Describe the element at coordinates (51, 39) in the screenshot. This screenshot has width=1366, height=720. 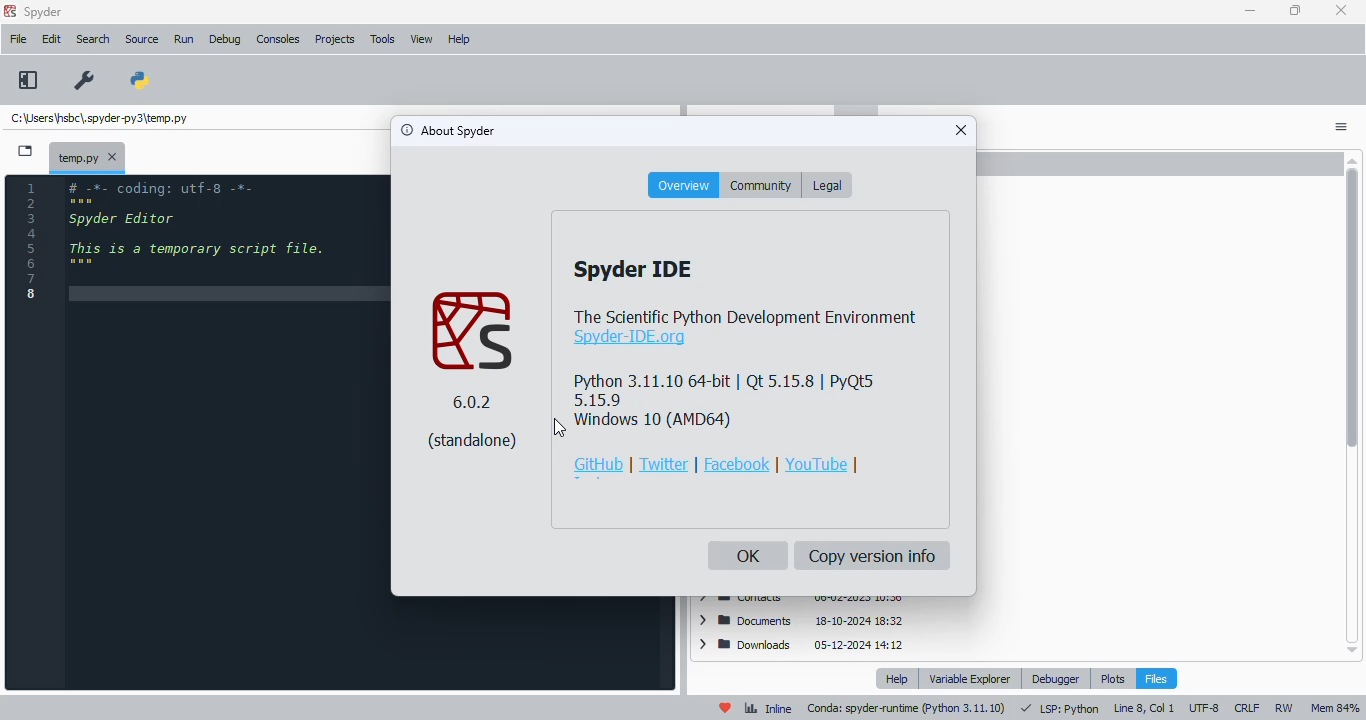
I see `edit` at that location.